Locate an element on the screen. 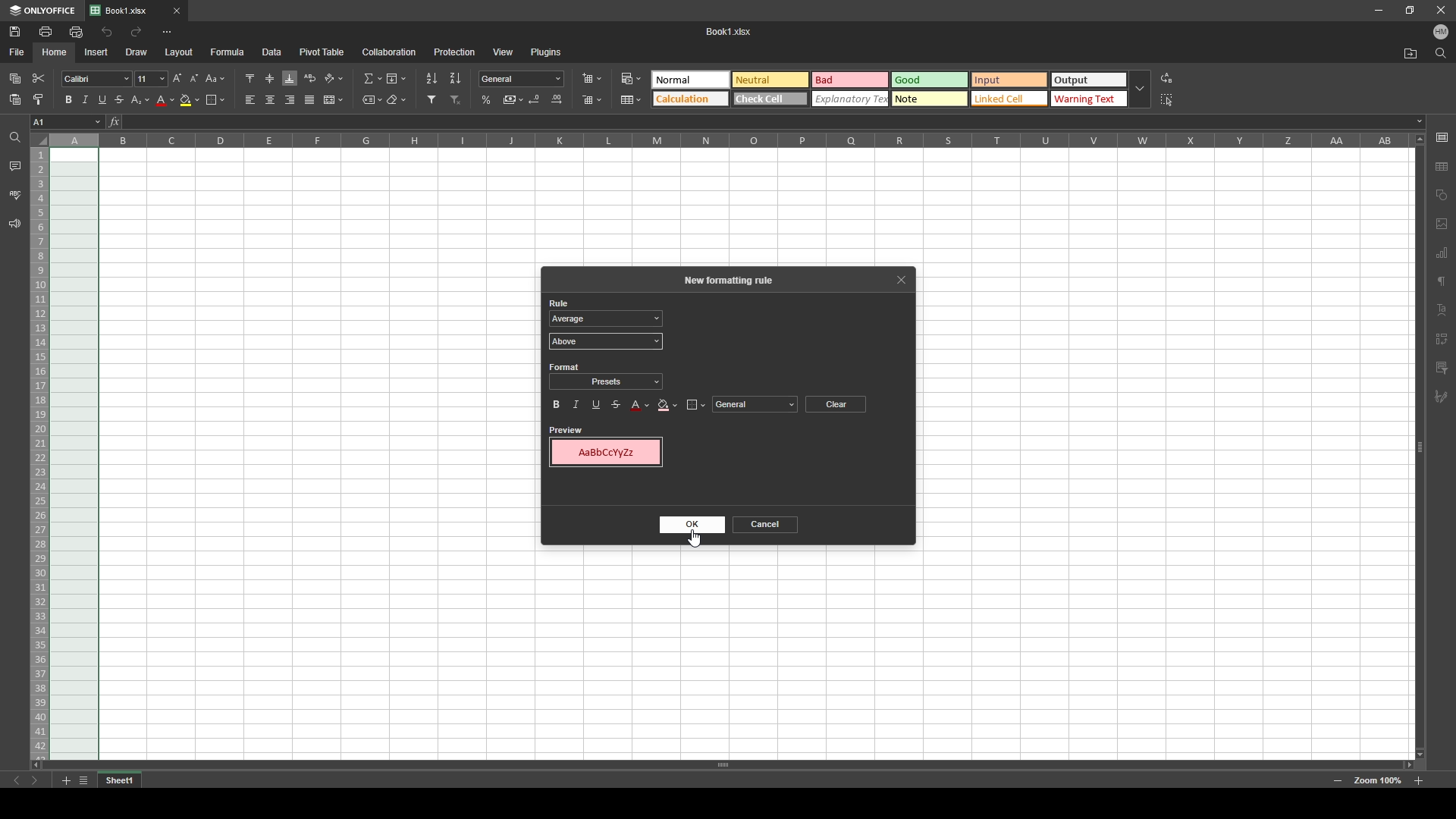  cells is located at coordinates (1164, 408).